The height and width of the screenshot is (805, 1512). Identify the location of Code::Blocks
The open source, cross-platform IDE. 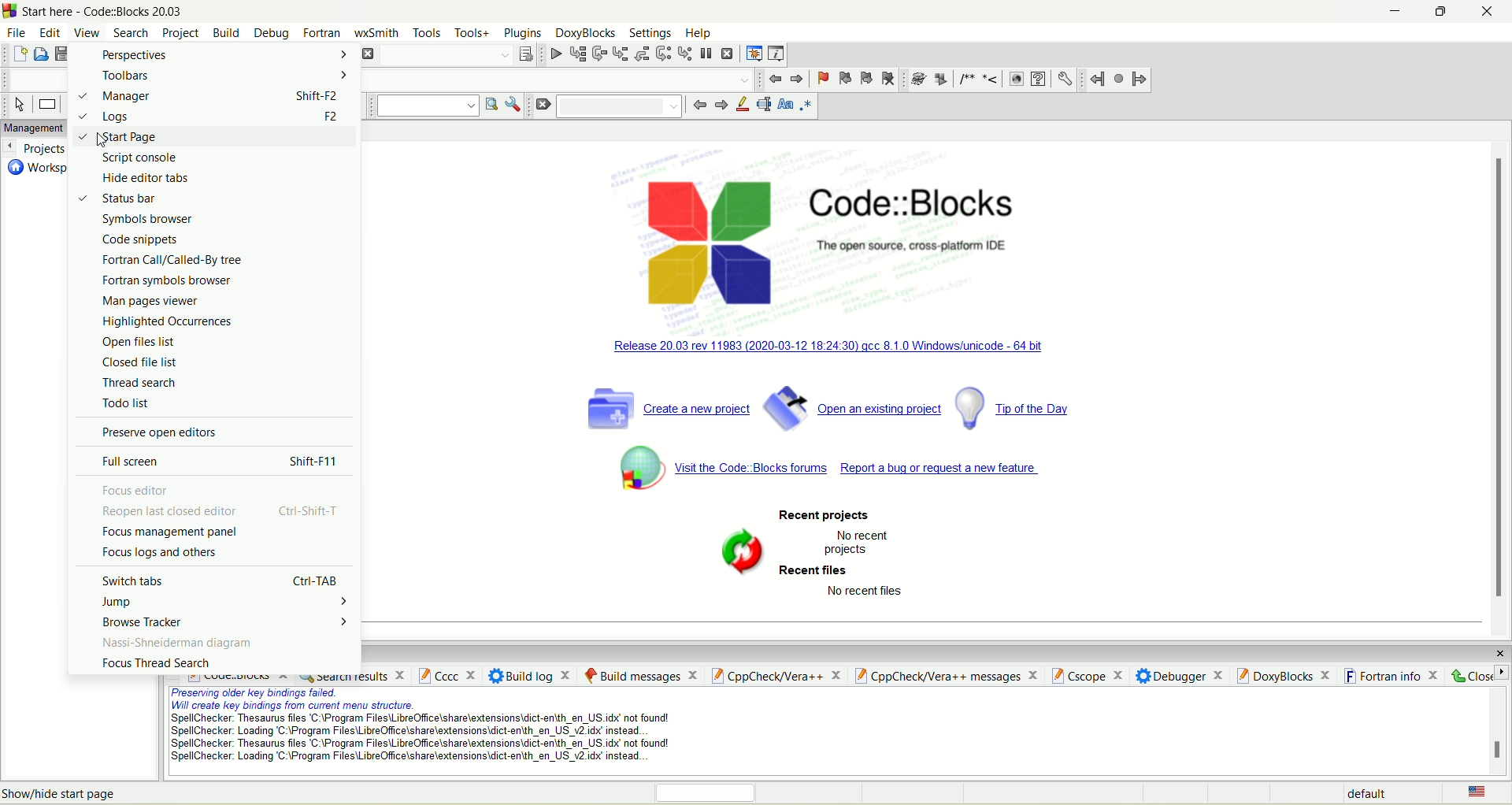
(917, 222).